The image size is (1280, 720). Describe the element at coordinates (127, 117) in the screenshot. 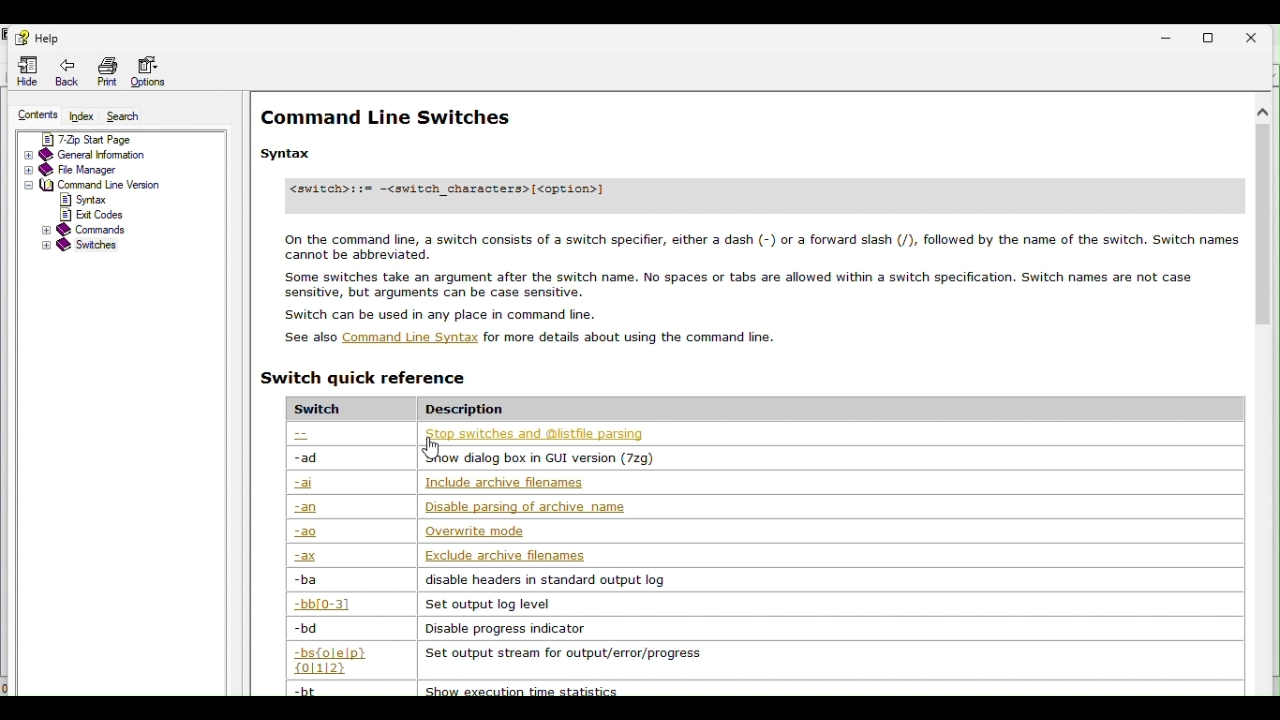

I see `Search` at that location.